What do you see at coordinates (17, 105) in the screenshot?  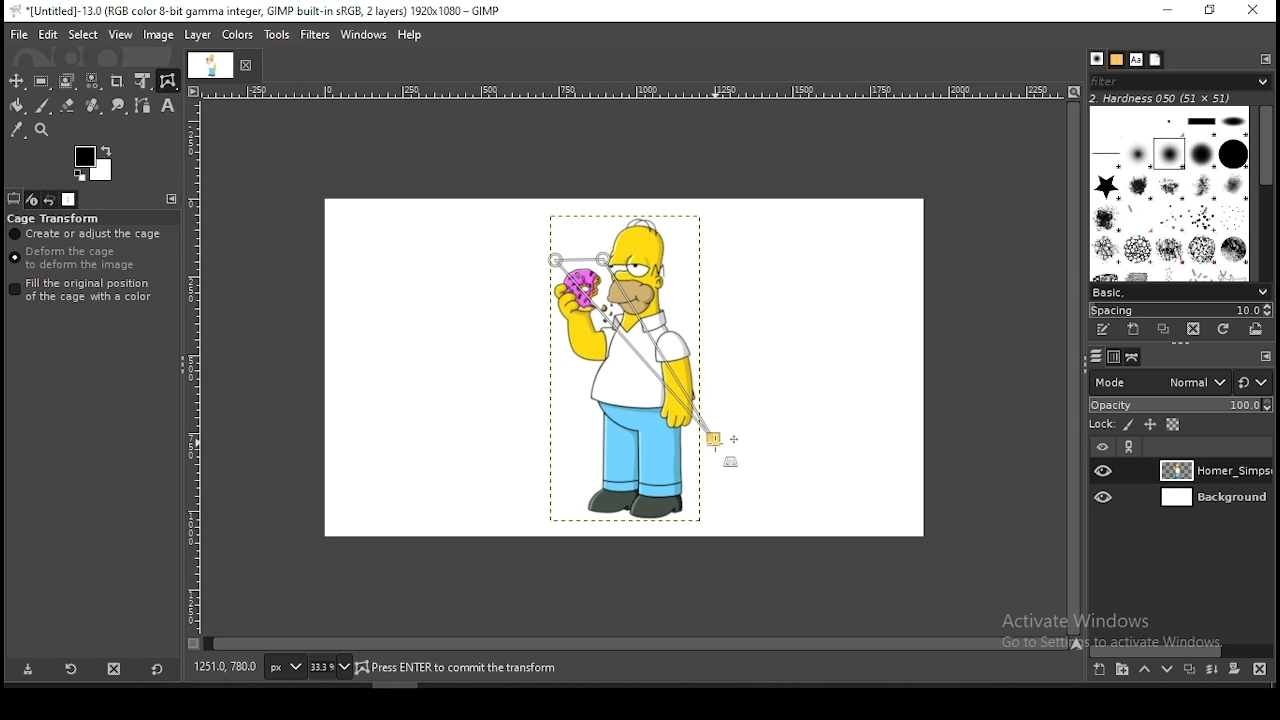 I see `paint bucket tool` at bounding box center [17, 105].